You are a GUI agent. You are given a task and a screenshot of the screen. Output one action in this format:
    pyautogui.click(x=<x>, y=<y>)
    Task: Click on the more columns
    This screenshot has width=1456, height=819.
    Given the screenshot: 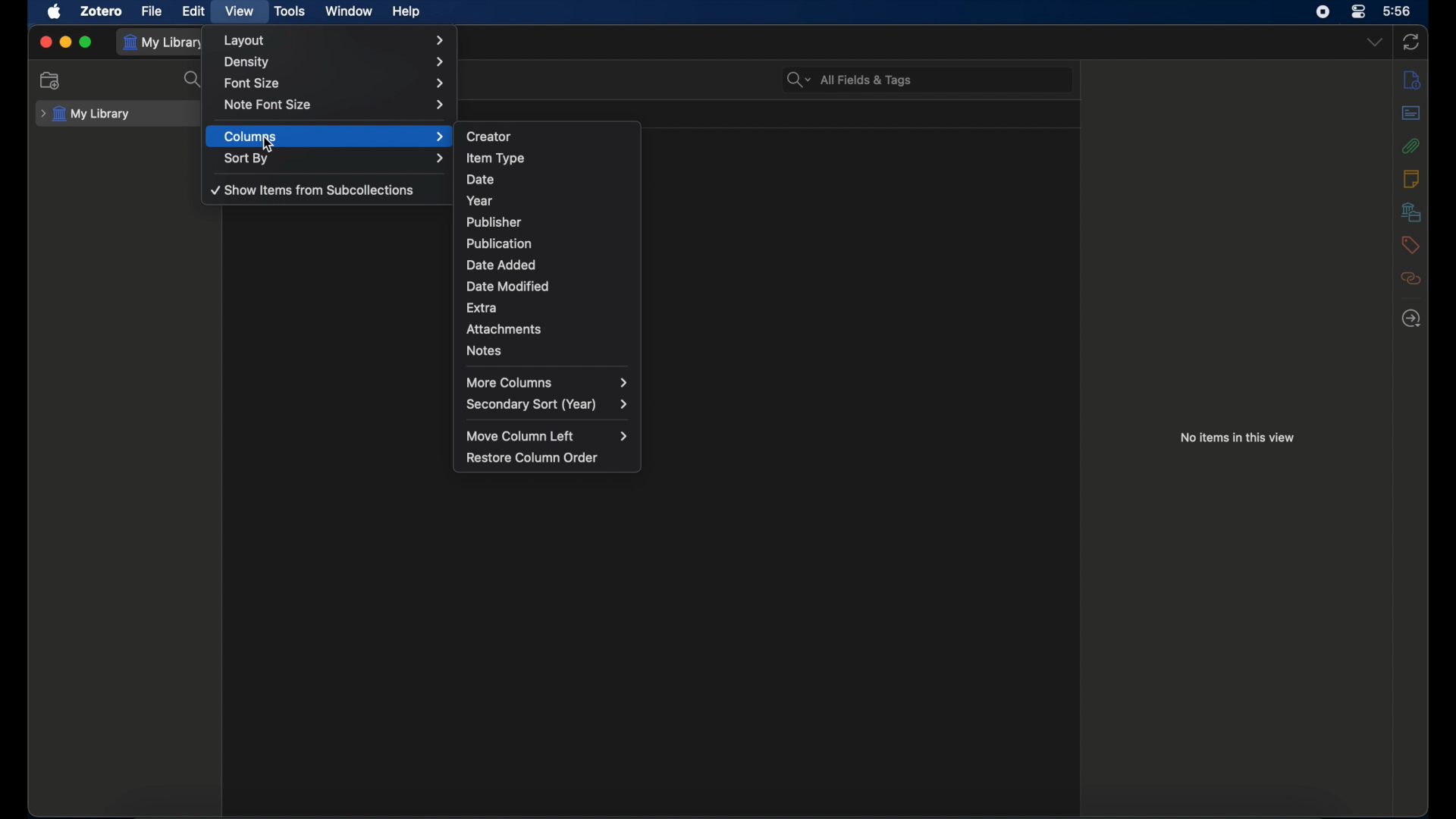 What is the action you would take?
    pyautogui.click(x=546, y=382)
    